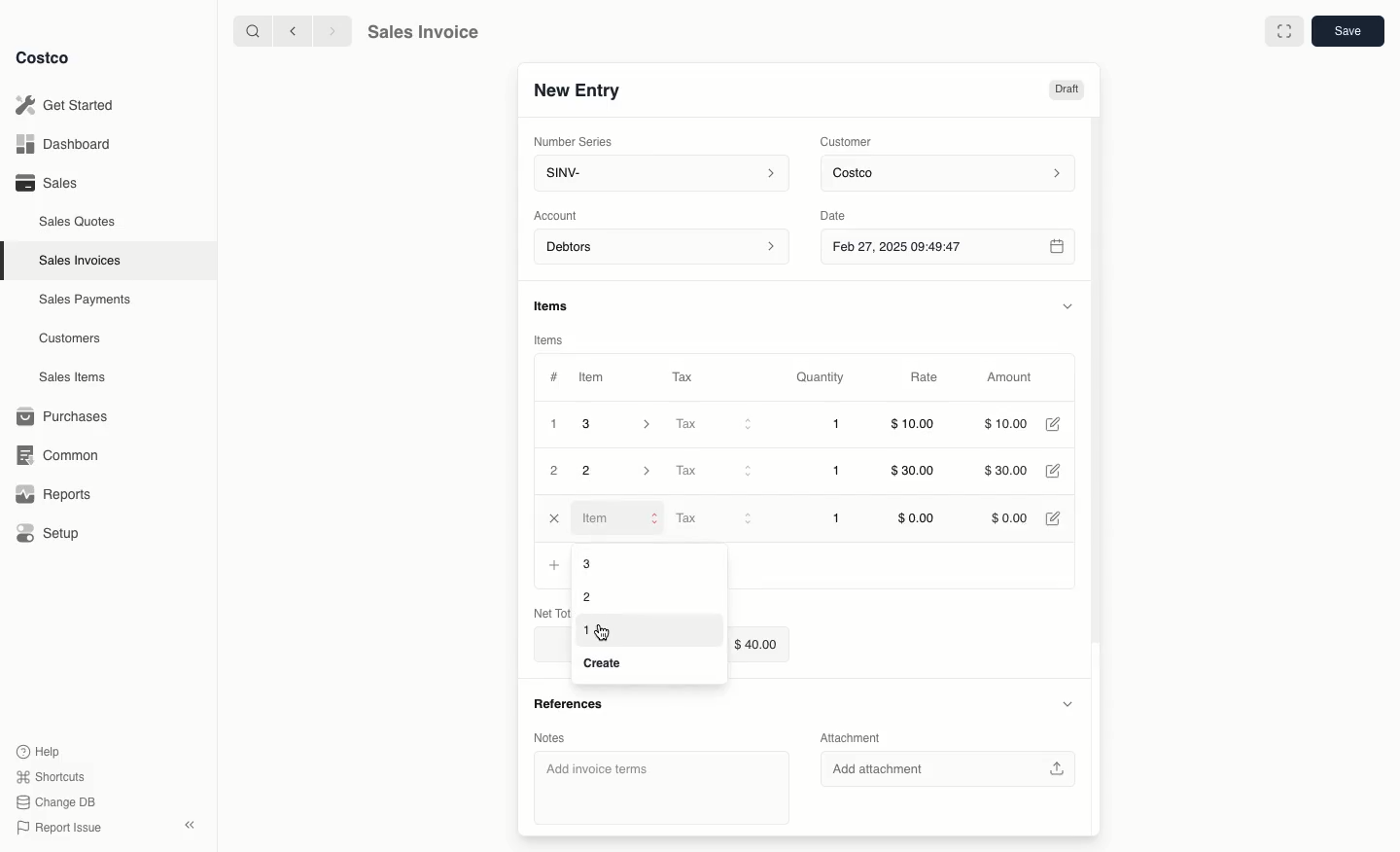 The width and height of the screenshot is (1400, 852). Describe the element at coordinates (619, 471) in the screenshot. I see `2` at that location.